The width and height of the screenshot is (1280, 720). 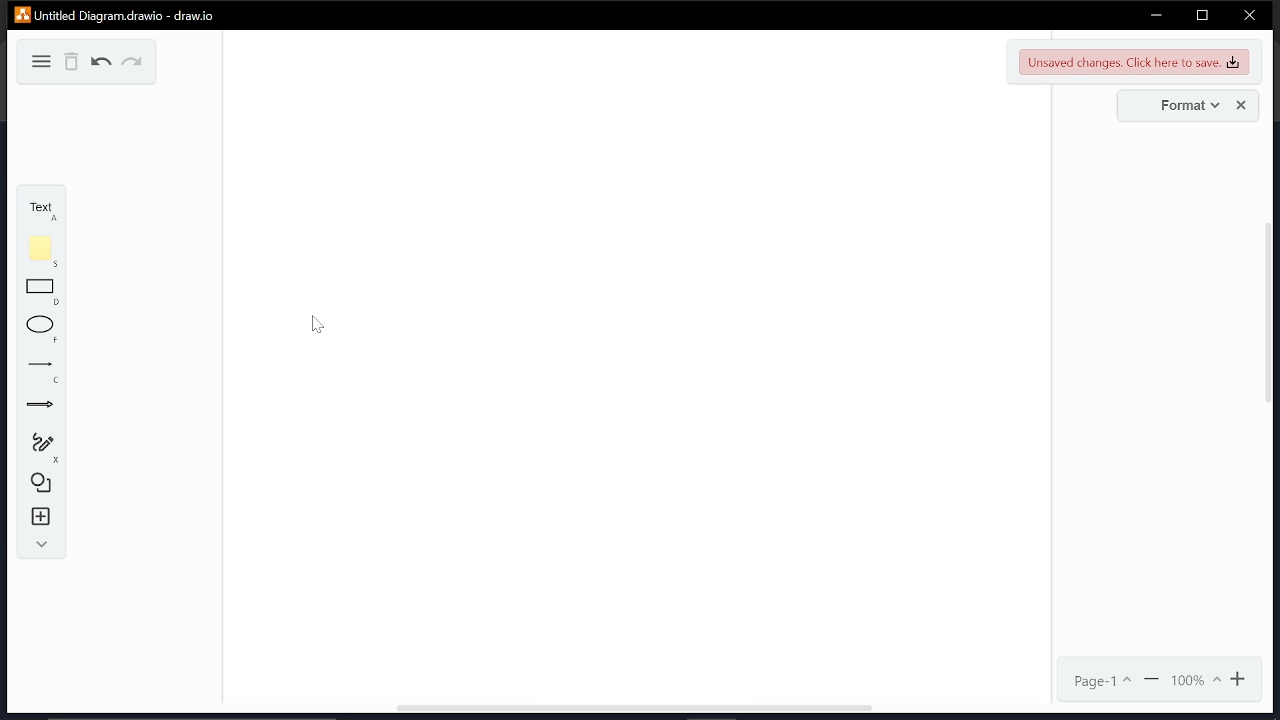 I want to click on note, so click(x=44, y=251).